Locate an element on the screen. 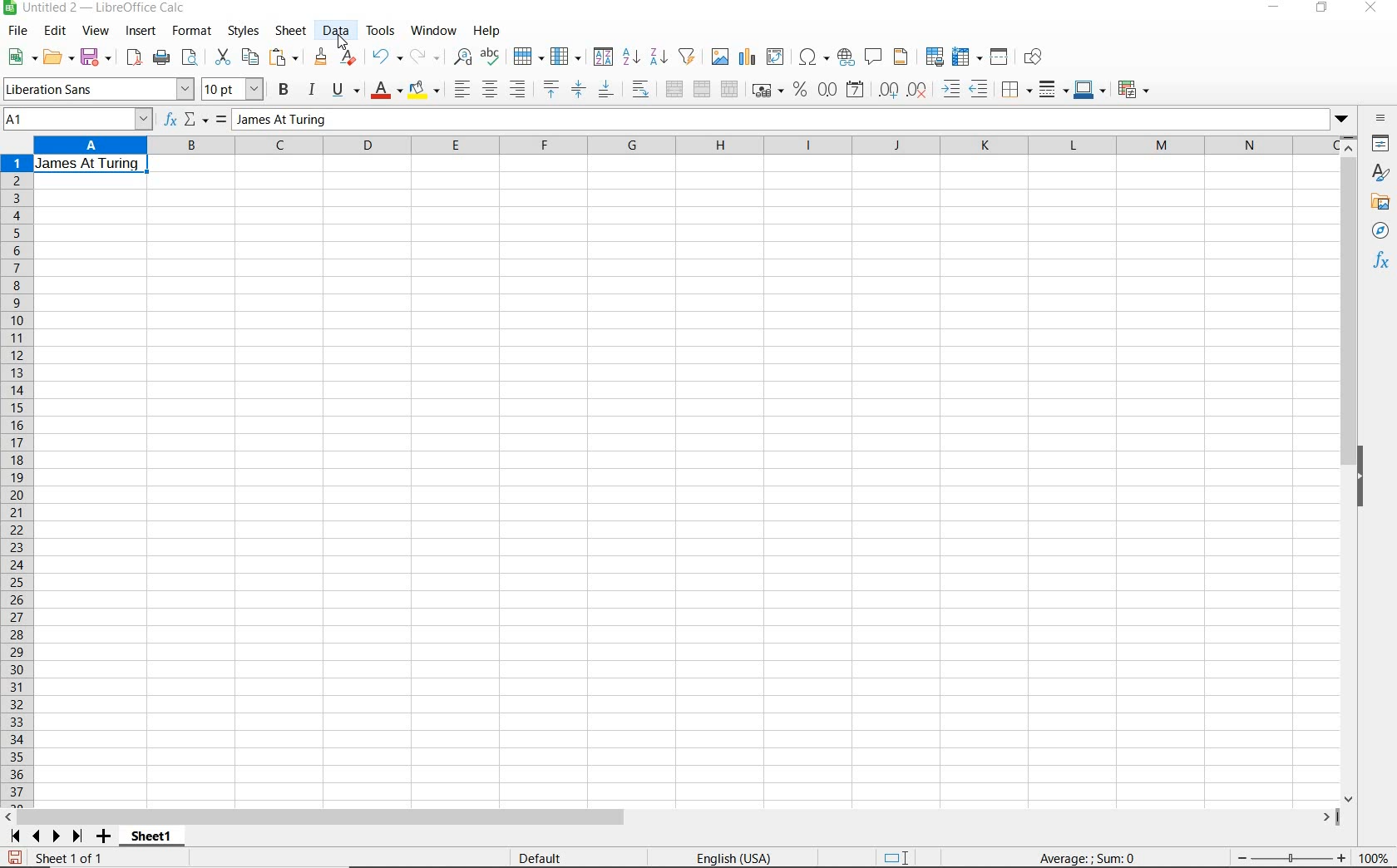 This screenshot has width=1397, height=868. find and replace is located at coordinates (464, 57).